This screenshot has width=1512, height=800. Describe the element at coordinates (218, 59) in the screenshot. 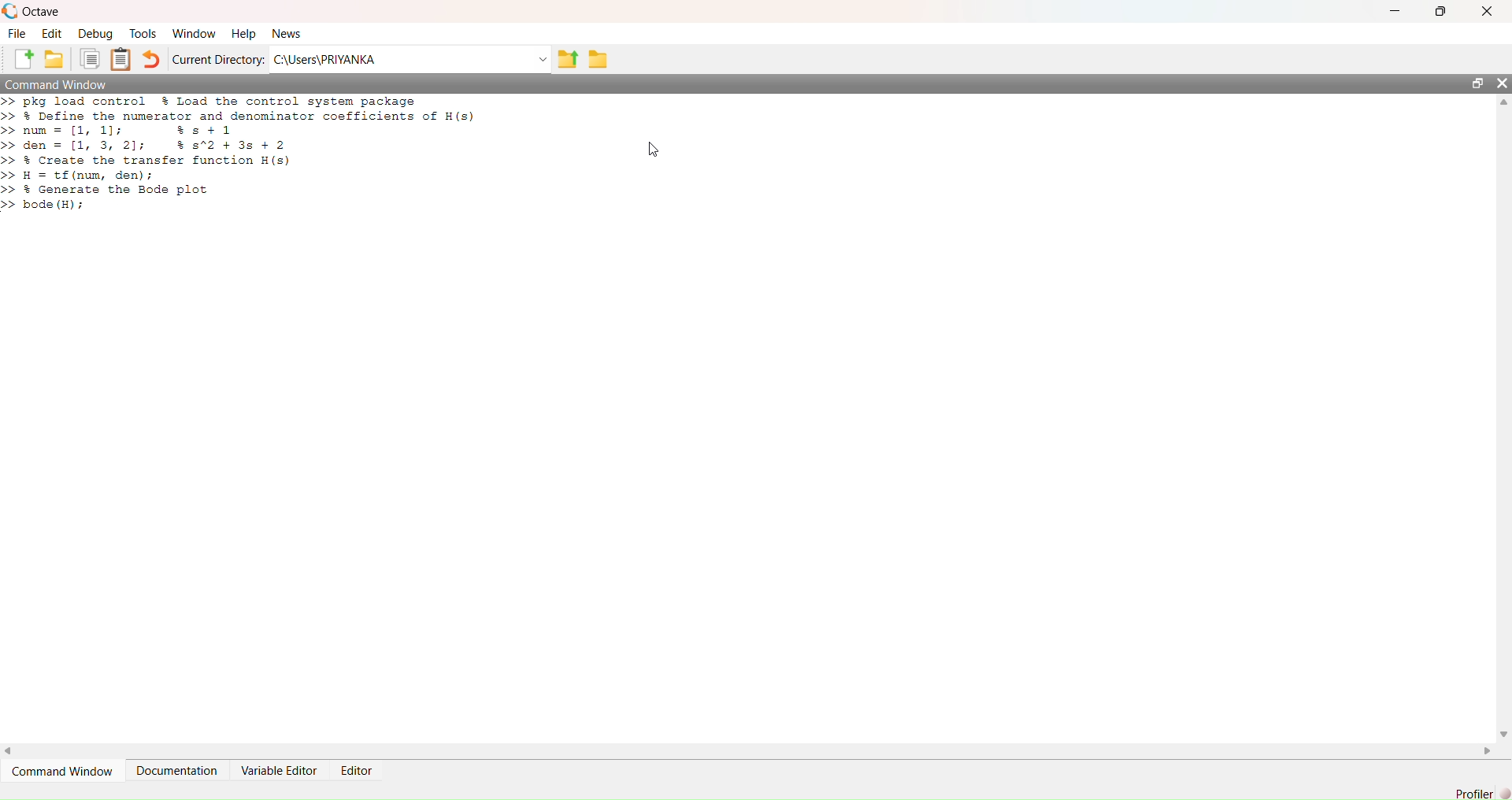

I see `Current Directory:` at that location.